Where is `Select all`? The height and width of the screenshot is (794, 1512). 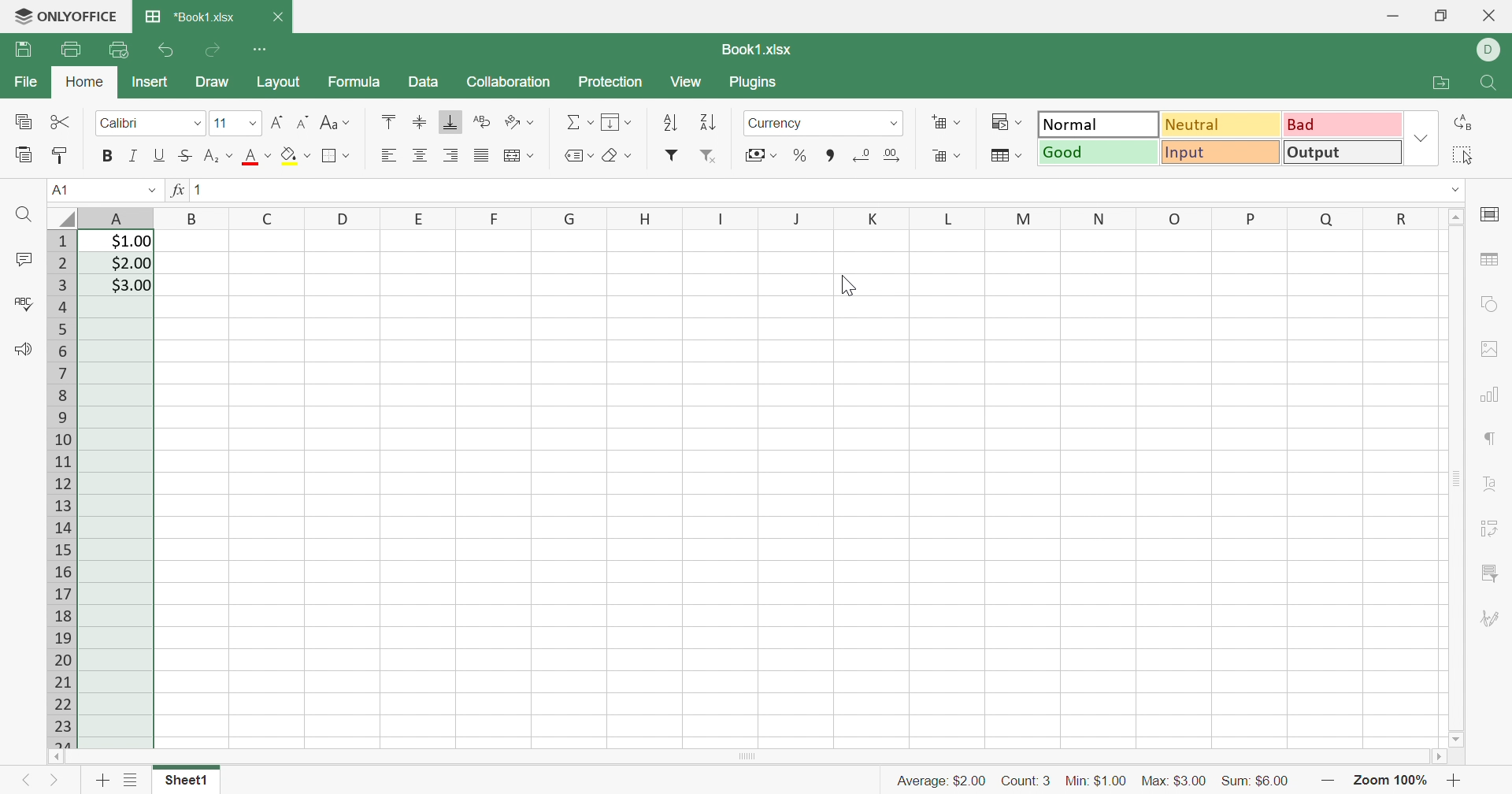 Select all is located at coordinates (1461, 155).